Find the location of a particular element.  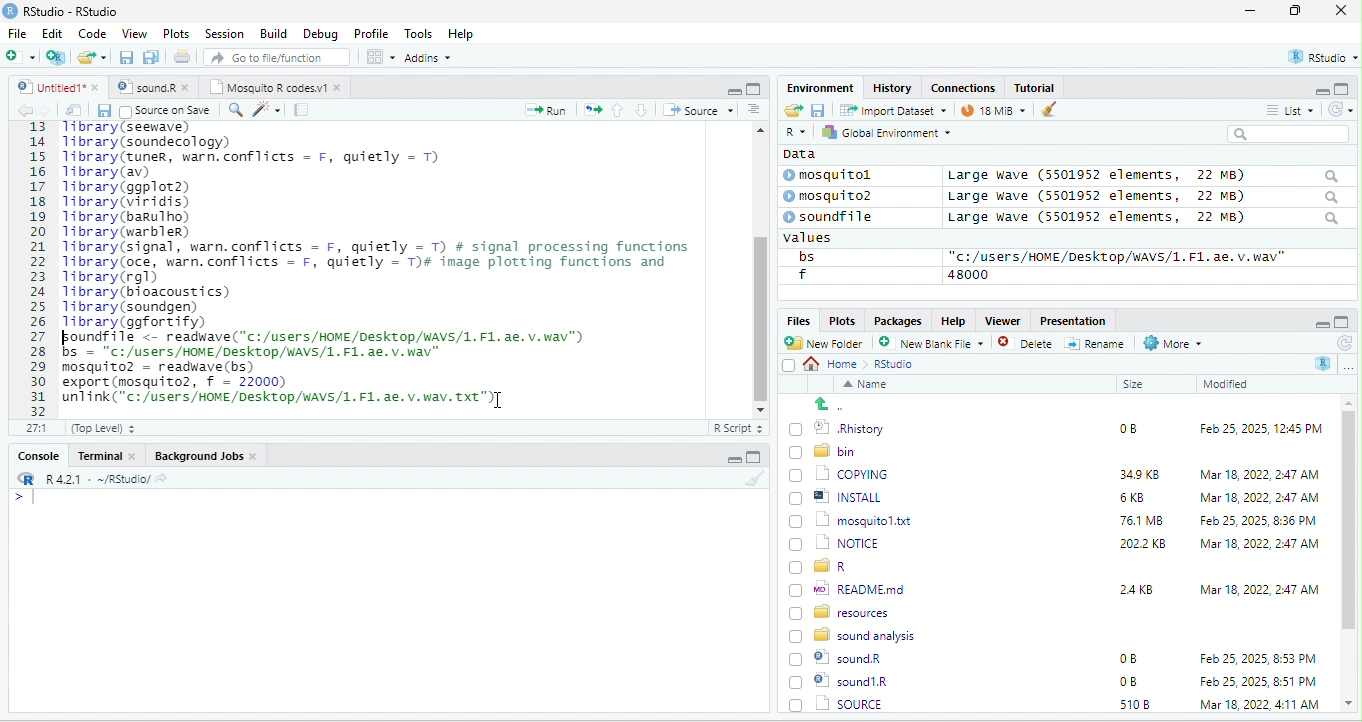

1 mosquitol.txt is located at coordinates (844, 519).